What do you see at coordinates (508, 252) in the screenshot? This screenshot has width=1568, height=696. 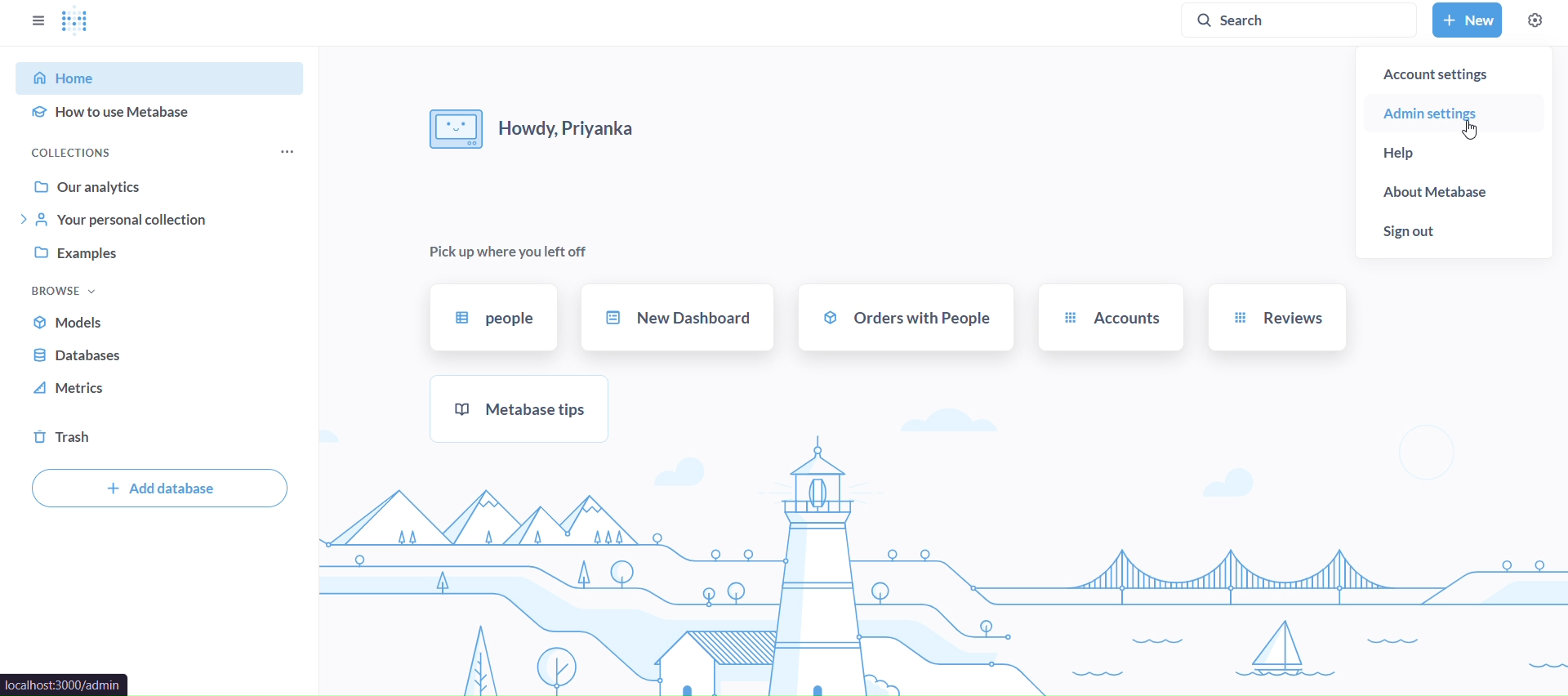 I see `pick up where you left off` at bounding box center [508, 252].